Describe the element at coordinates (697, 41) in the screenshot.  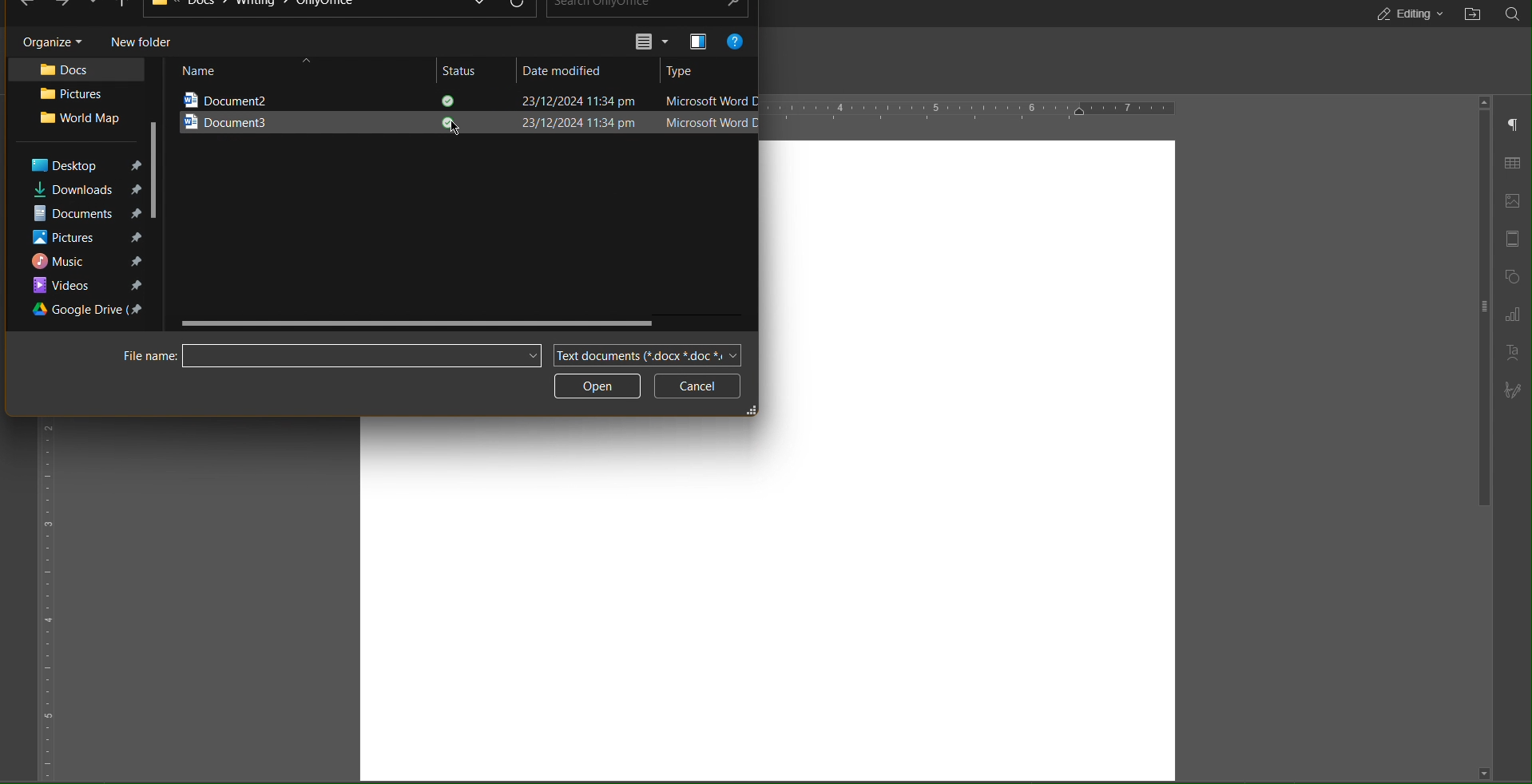
I see `View` at that location.